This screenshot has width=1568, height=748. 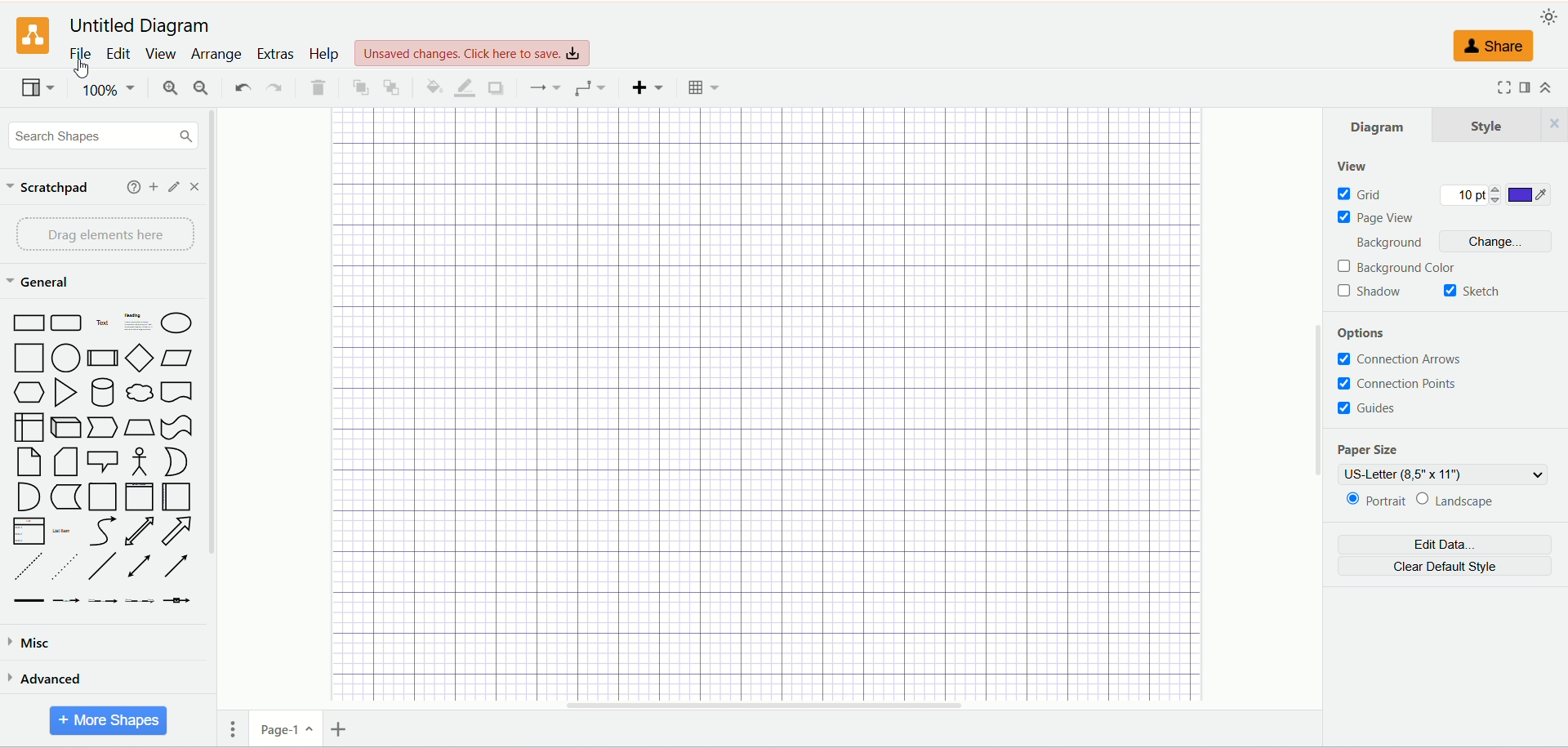 What do you see at coordinates (1472, 292) in the screenshot?
I see `sketch` at bounding box center [1472, 292].